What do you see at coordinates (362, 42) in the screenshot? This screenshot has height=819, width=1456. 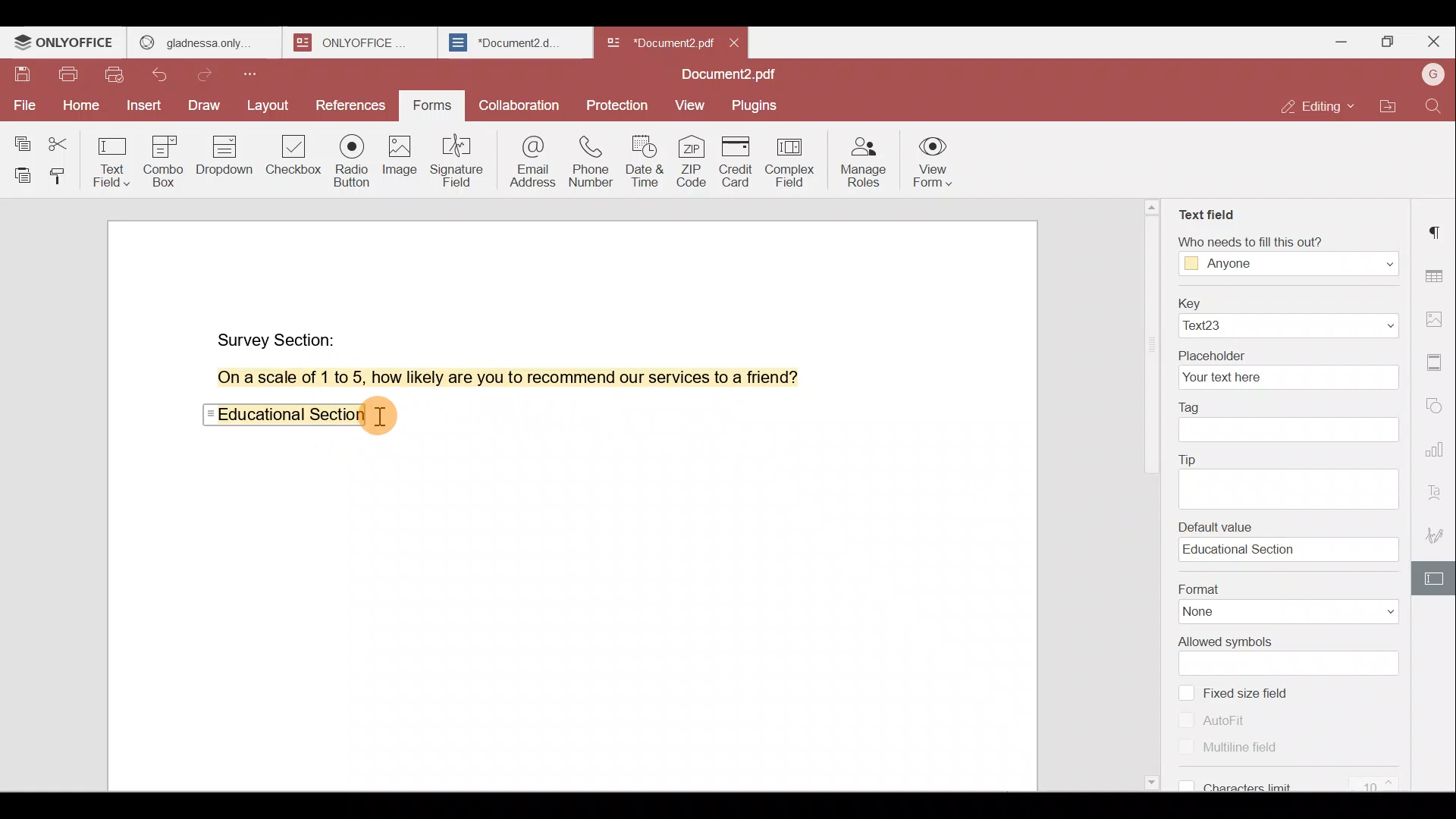 I see `ONLYOFFICE` at bounding box center [362, 42].